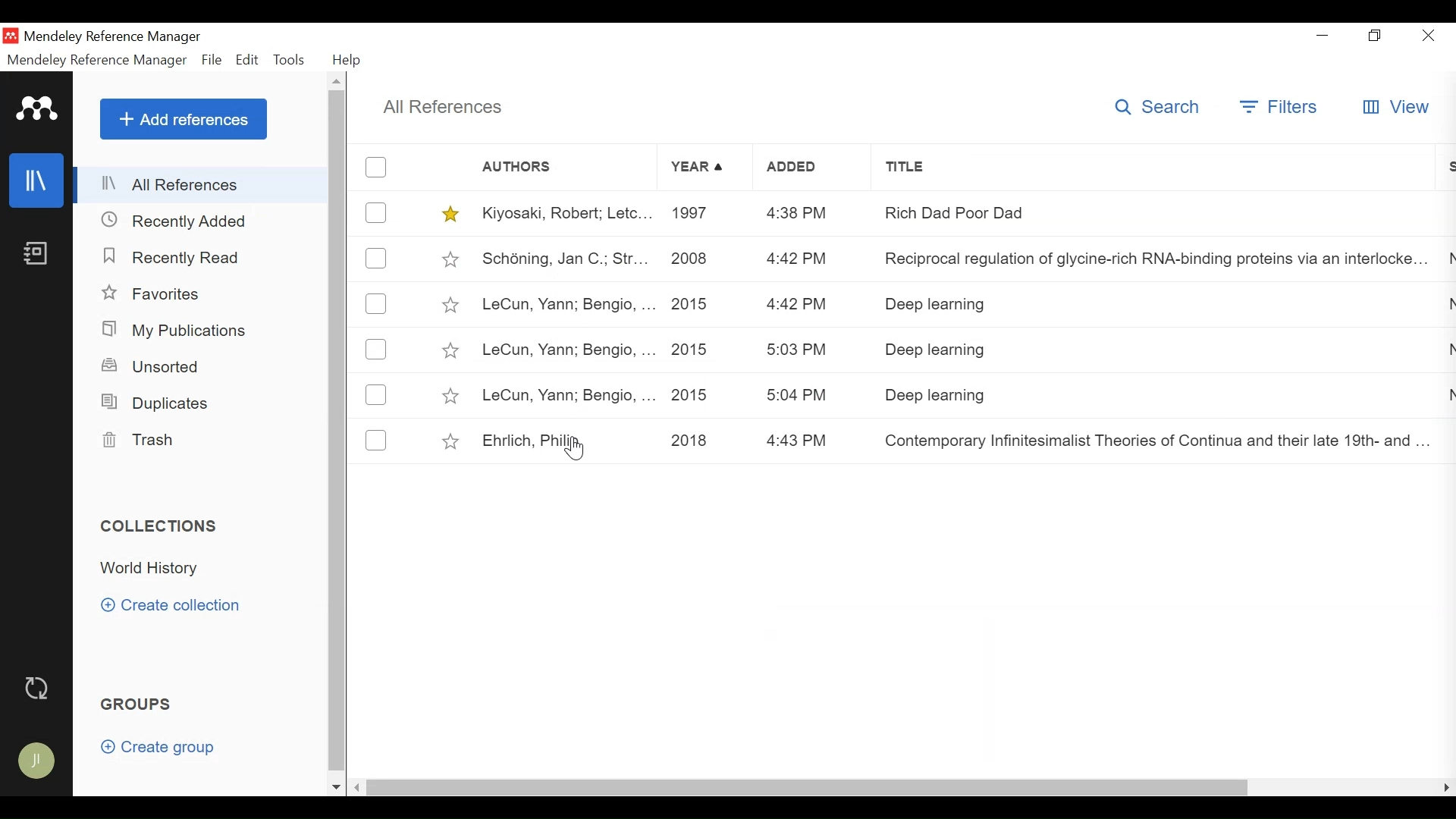 The image size is (1456, 819). I want to click on 4:42 PM, so click(794, 306).